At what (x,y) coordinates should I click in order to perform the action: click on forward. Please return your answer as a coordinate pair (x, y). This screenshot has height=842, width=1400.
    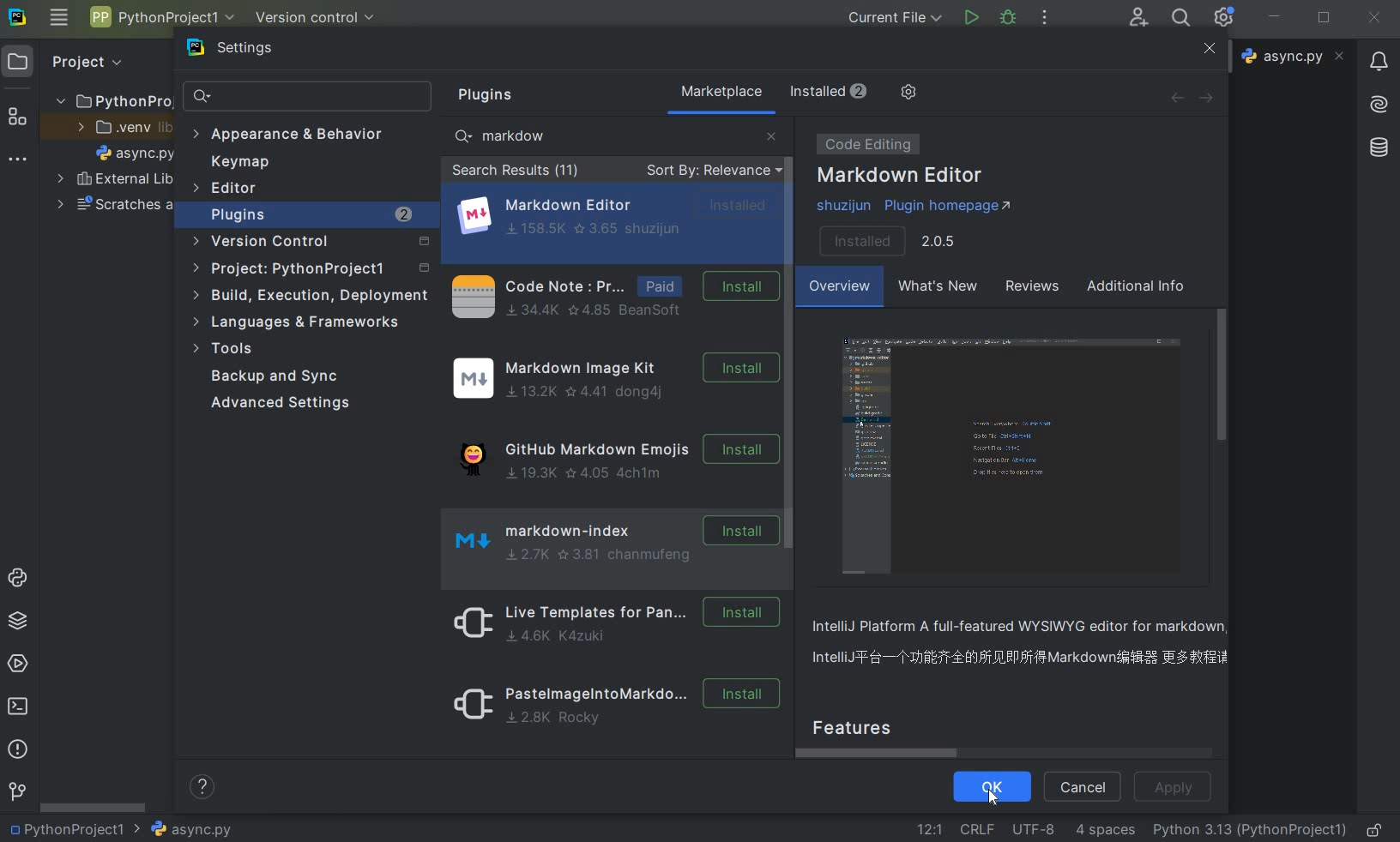
    Looking at the image, I should click on (1211, 98).